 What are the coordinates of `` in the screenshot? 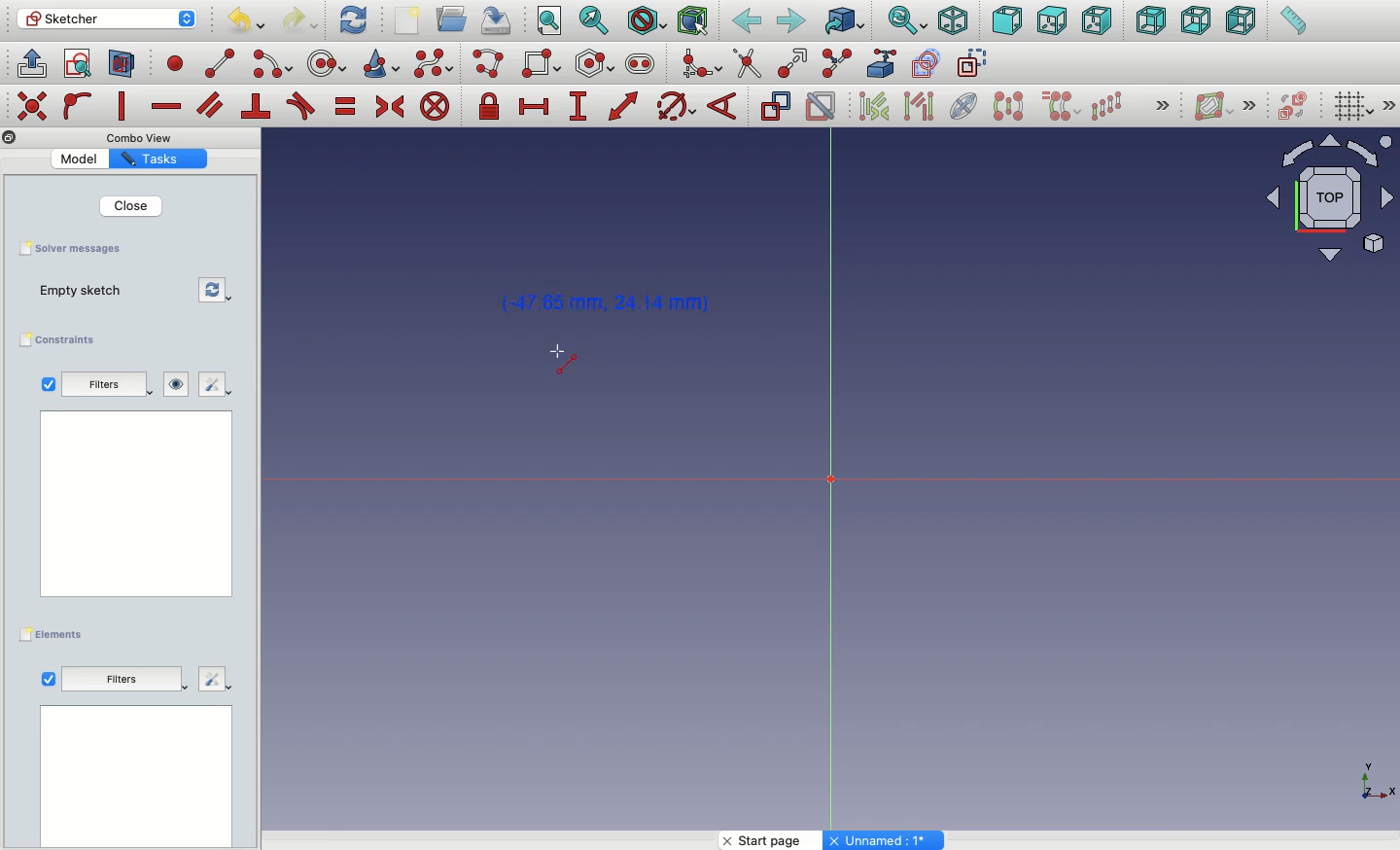 It's located at (130, 512).